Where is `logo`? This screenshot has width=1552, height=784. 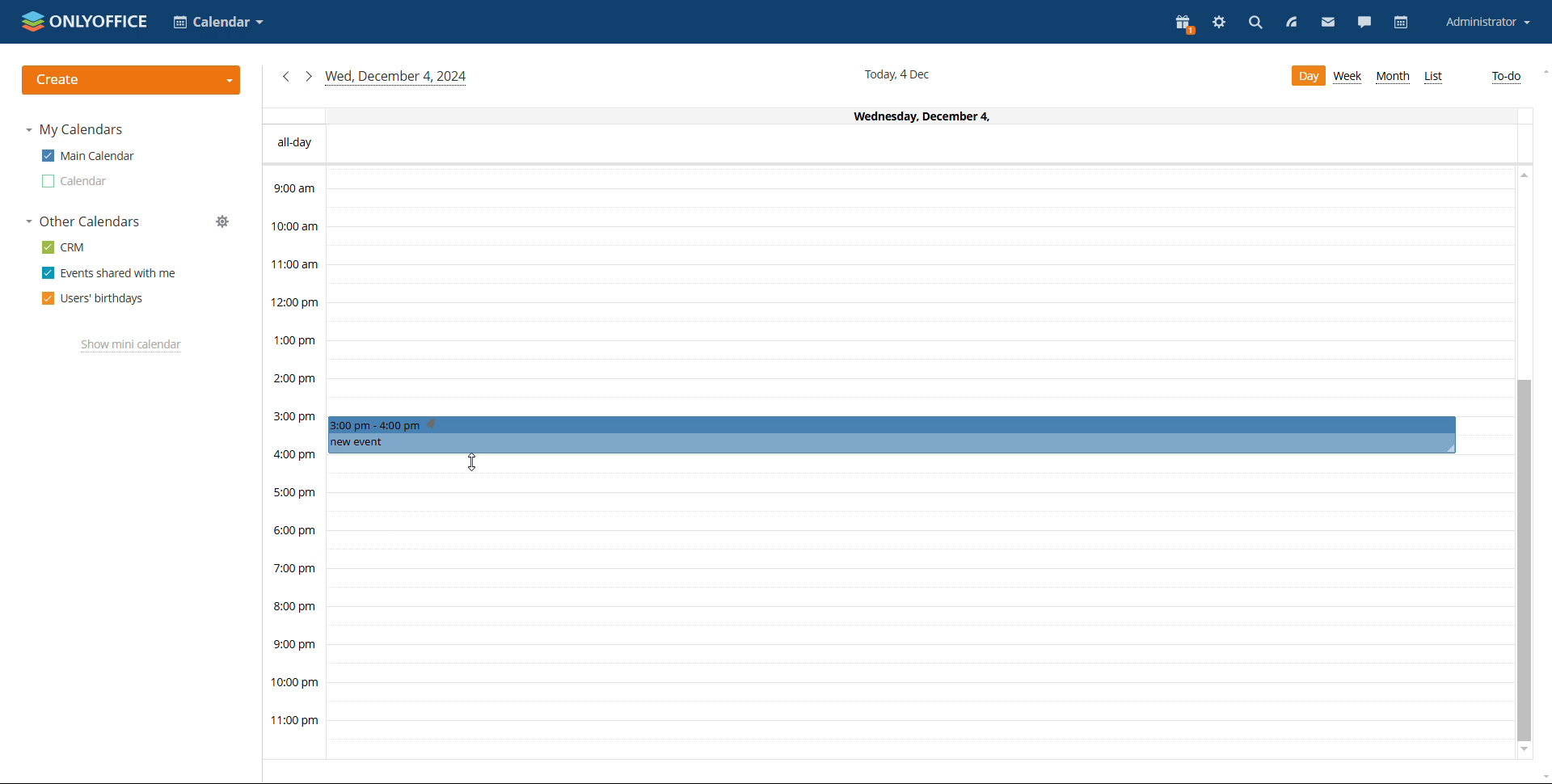 logo is located at coordinates (84, 21).